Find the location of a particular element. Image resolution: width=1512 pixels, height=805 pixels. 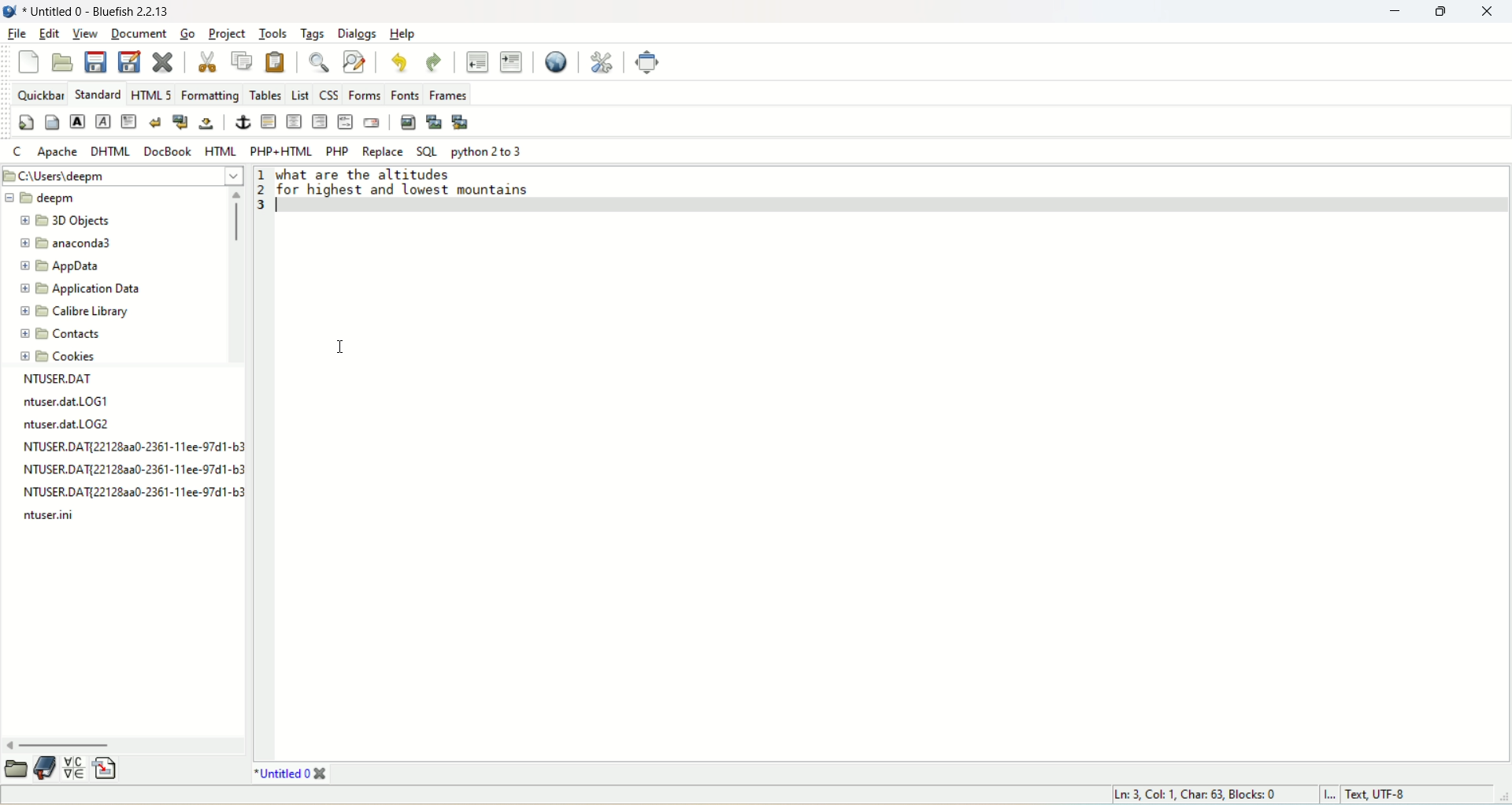

HTML comment is located at coordinates (346, 122).